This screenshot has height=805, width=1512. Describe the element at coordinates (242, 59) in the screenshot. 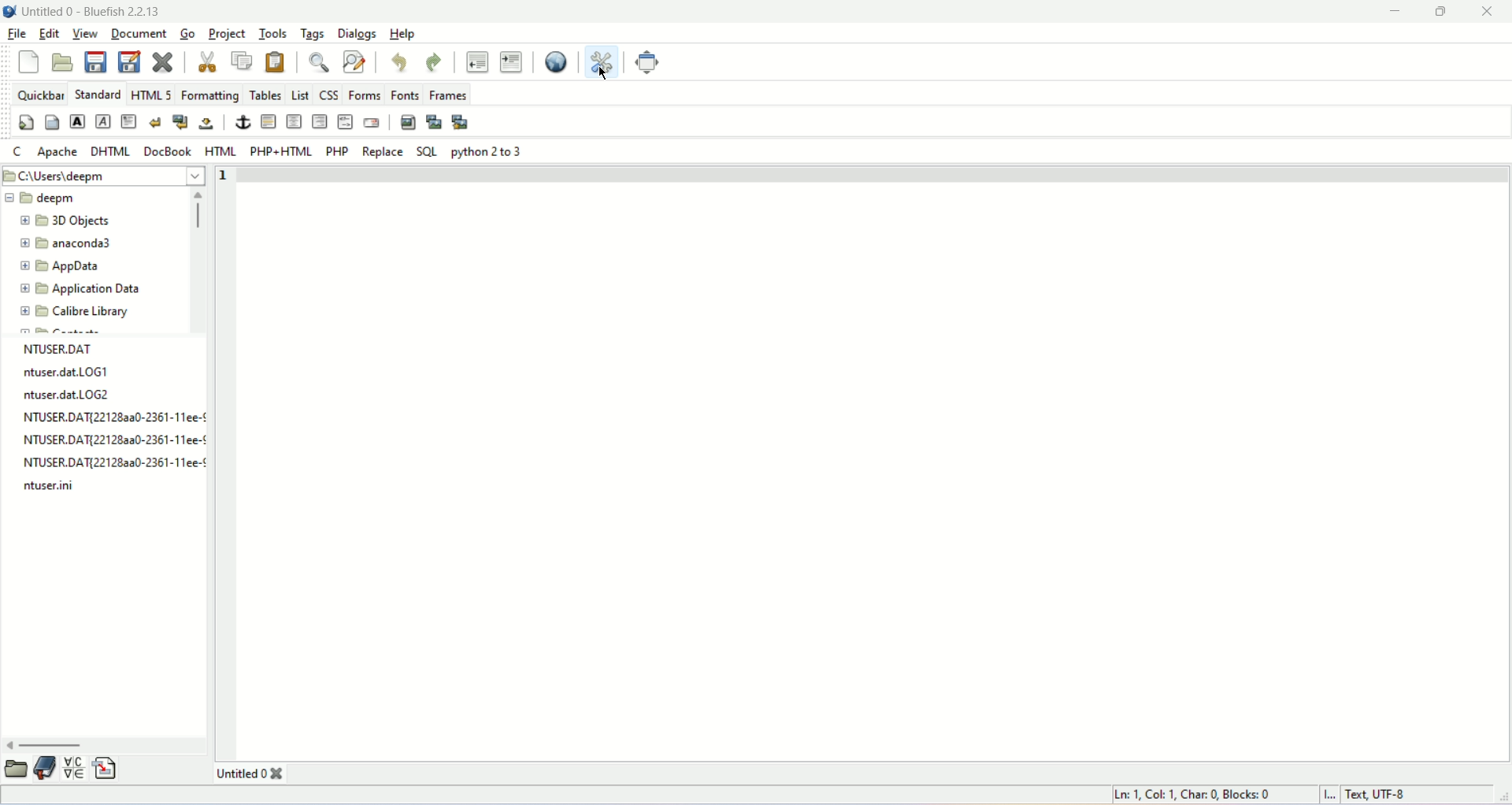

I see `copy` at that location.